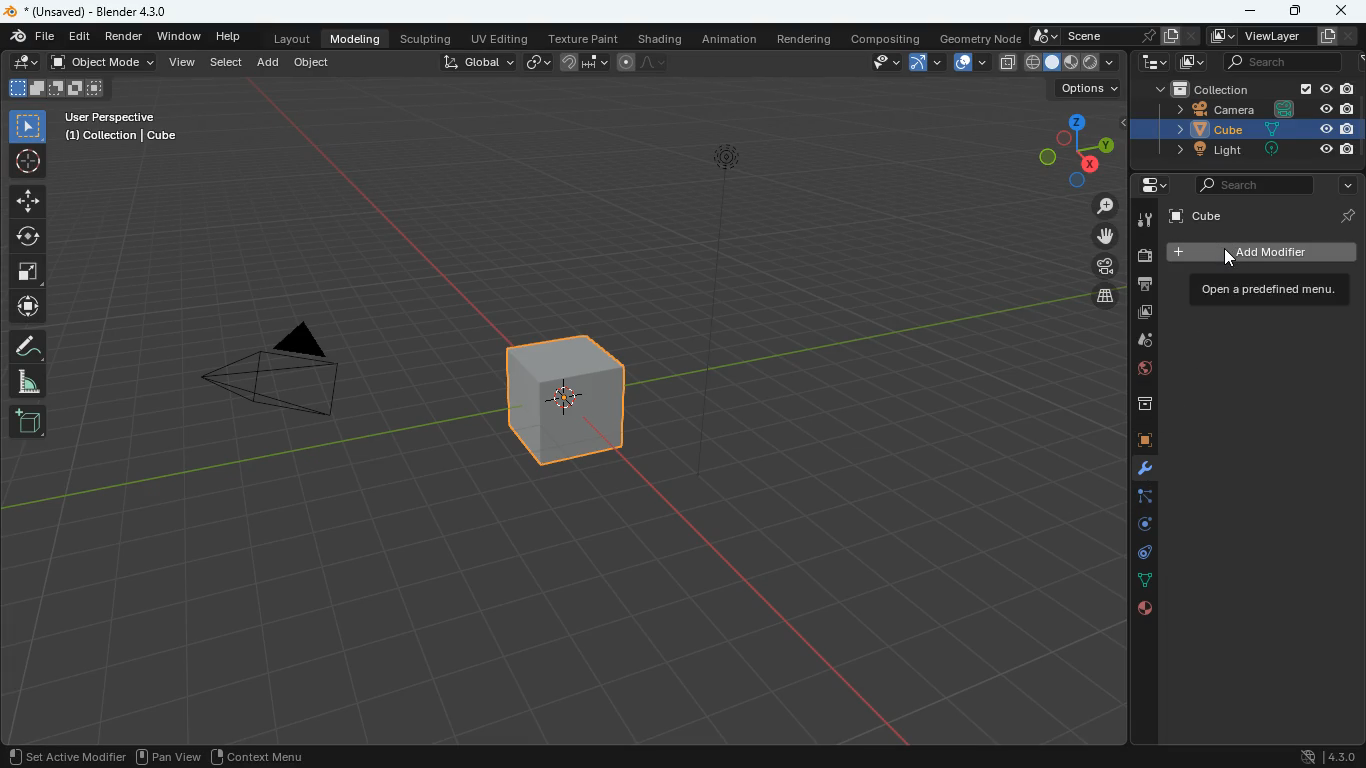 Image resolution: width=1366 pixels, height=768 pixels. I want to click on rotate, so click(27, 239).